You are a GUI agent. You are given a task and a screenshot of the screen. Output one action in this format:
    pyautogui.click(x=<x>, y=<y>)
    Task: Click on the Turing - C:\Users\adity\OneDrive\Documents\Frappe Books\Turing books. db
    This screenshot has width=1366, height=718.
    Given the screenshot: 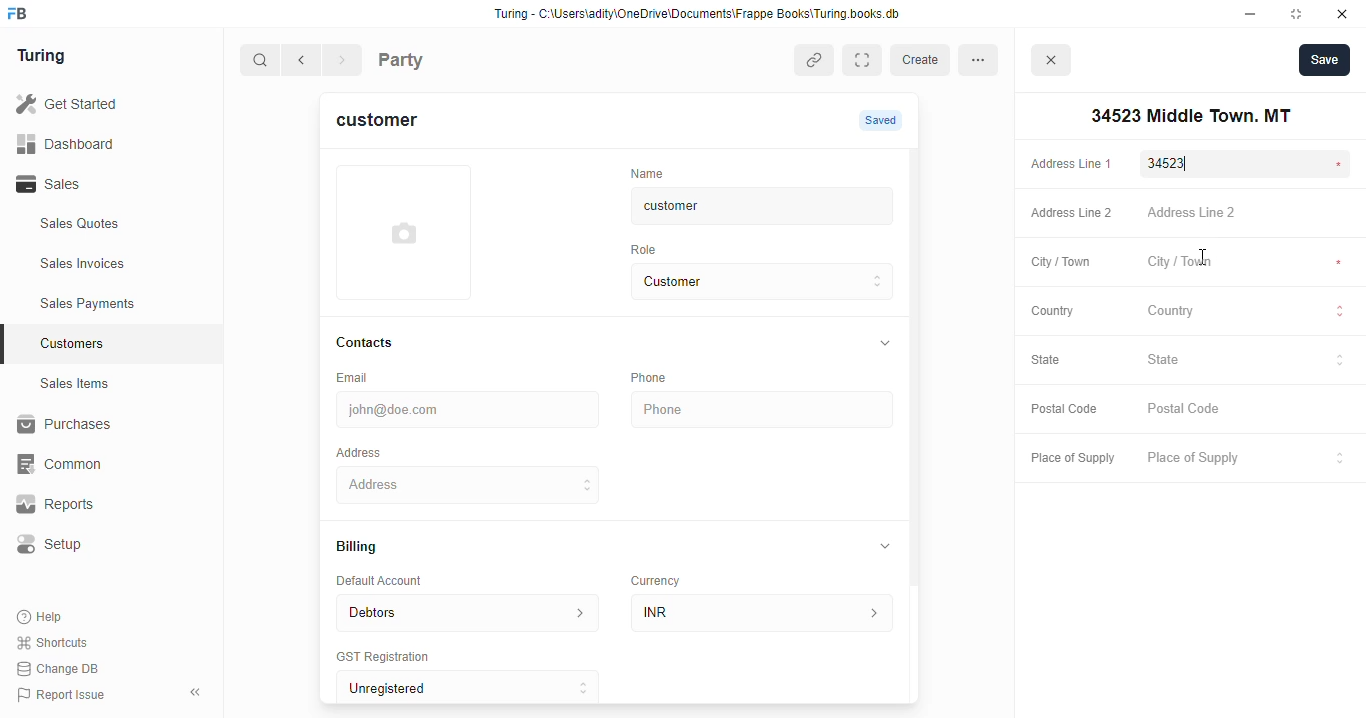 What is the action you would take?
    pyautogui.click(x=703, y=16)
    